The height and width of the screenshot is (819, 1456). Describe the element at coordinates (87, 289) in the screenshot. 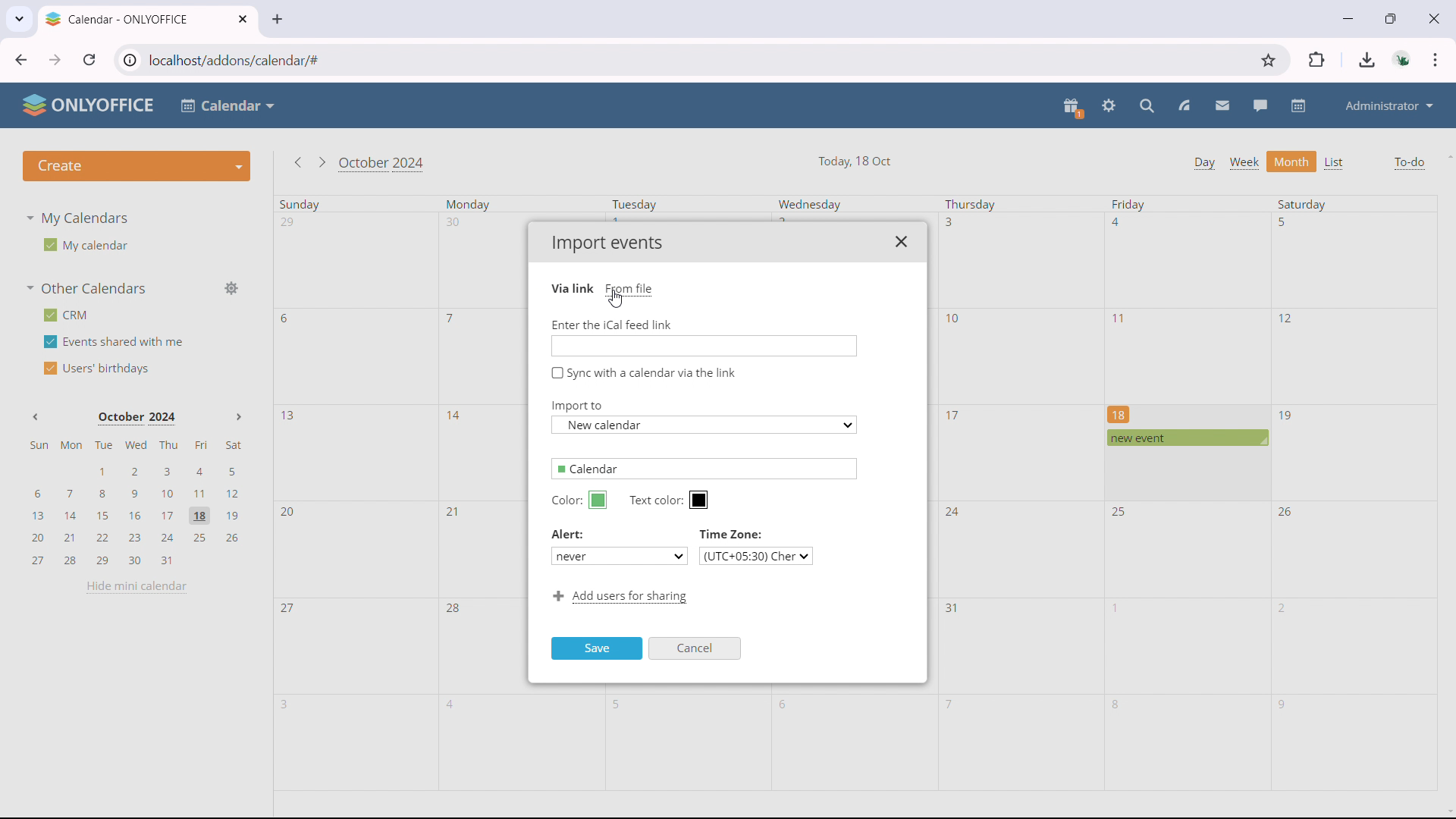

I see `other calendars` at that location.